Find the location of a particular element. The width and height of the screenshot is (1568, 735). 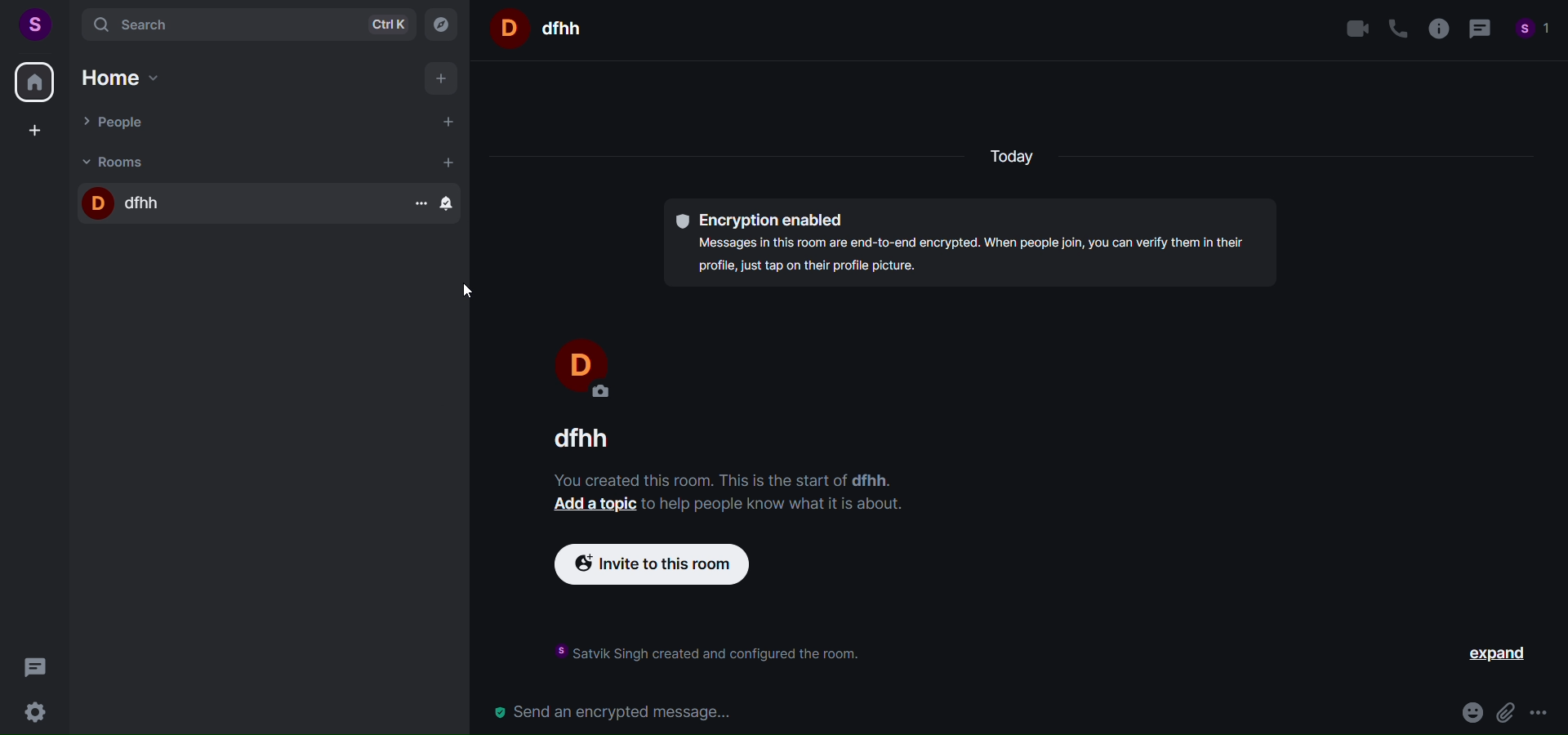

people is located at coordinates (1535, 29).